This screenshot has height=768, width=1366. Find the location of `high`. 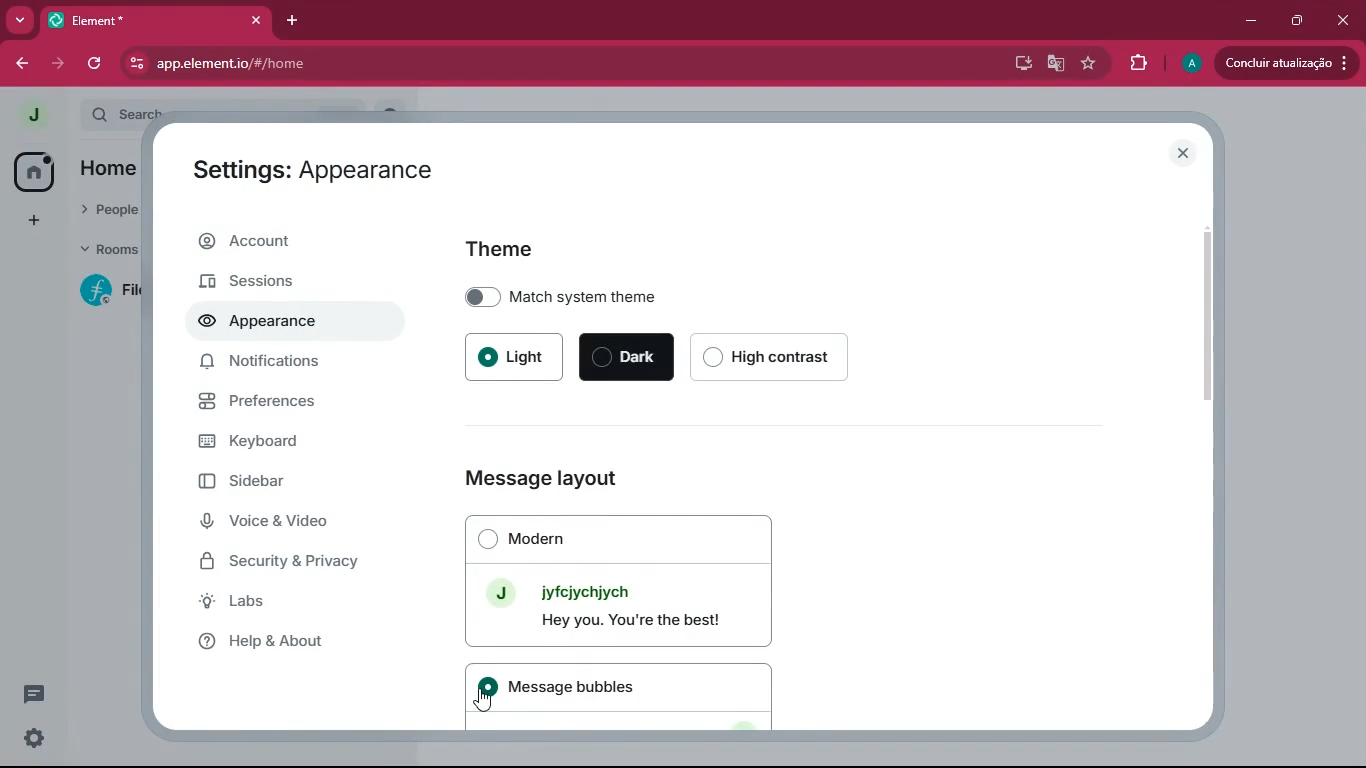

high is located at coordinates (777, 355).